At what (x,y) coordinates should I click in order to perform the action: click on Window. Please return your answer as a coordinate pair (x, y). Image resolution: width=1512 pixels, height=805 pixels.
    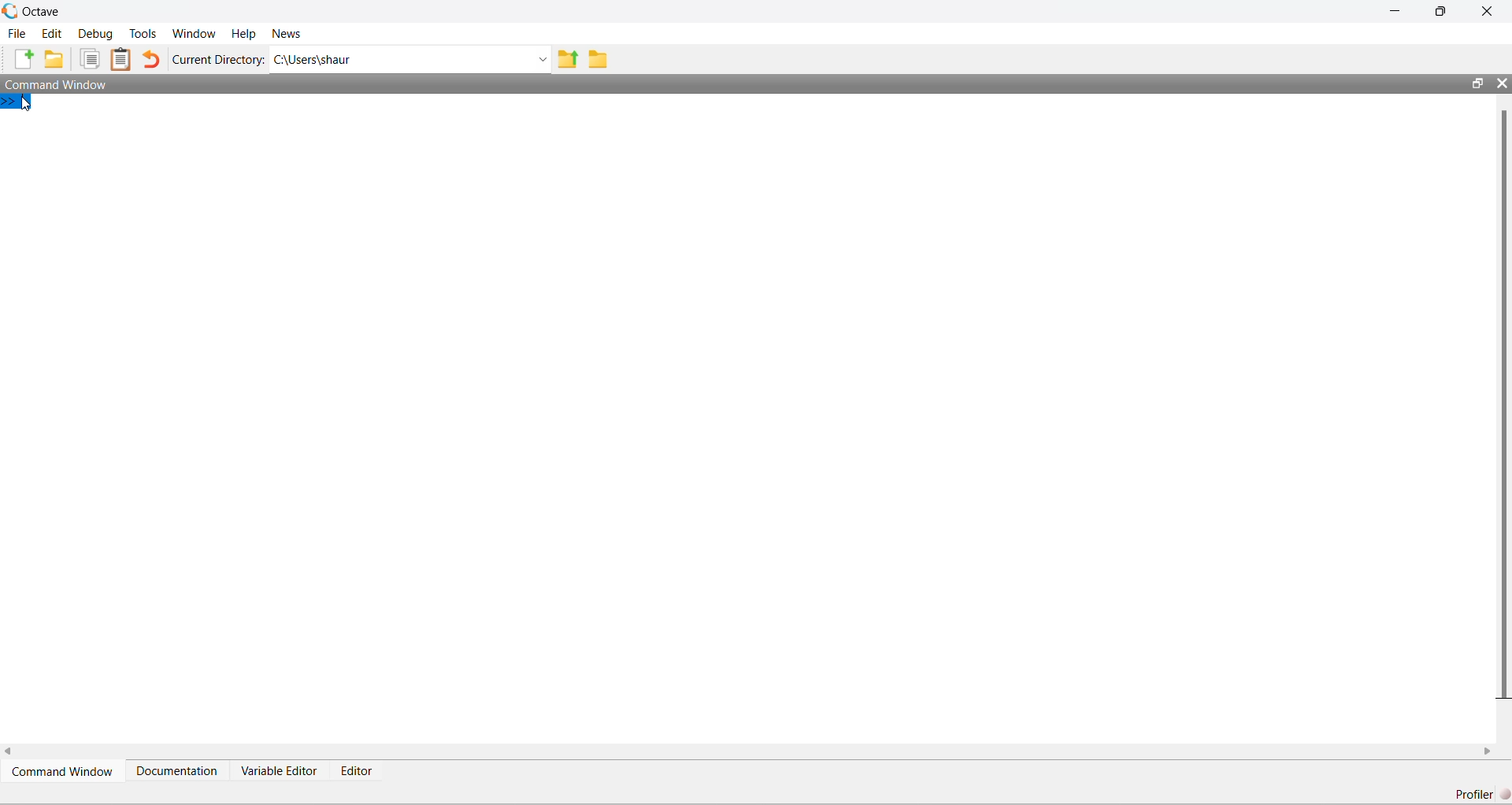
    Looking at the image, I should click on (193, 33).